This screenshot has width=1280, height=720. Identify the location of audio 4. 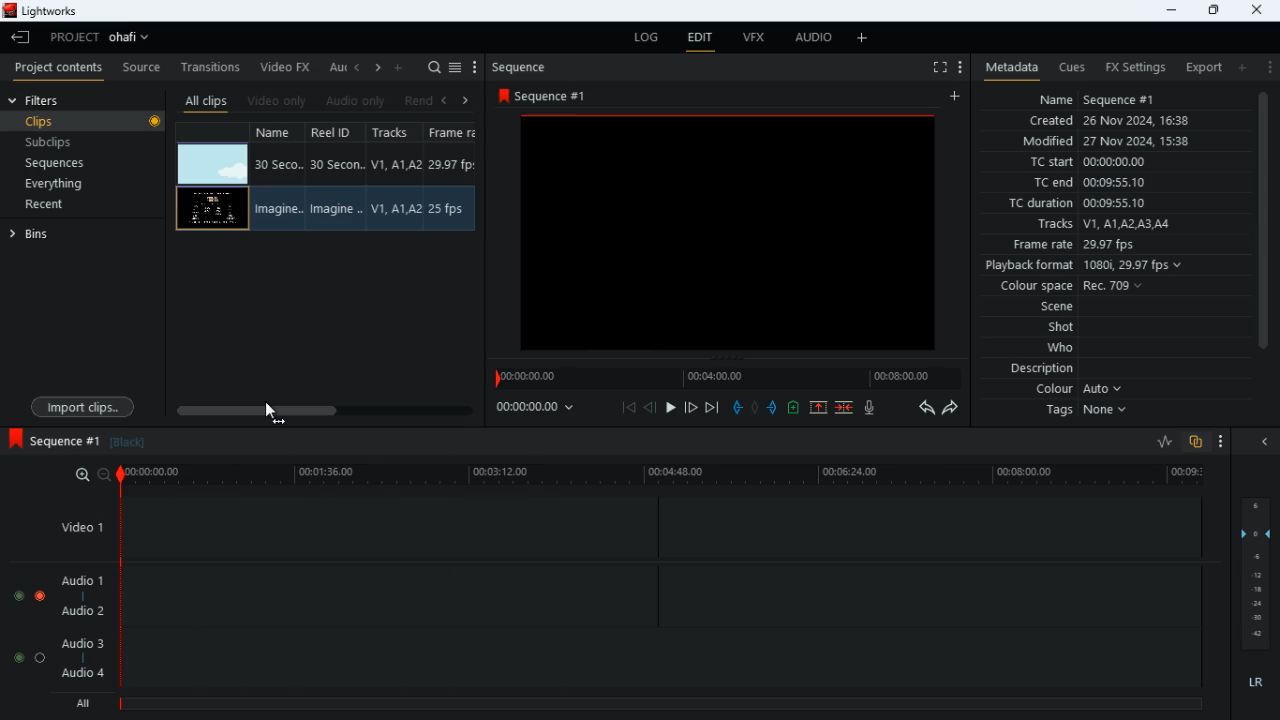
(82, 675).